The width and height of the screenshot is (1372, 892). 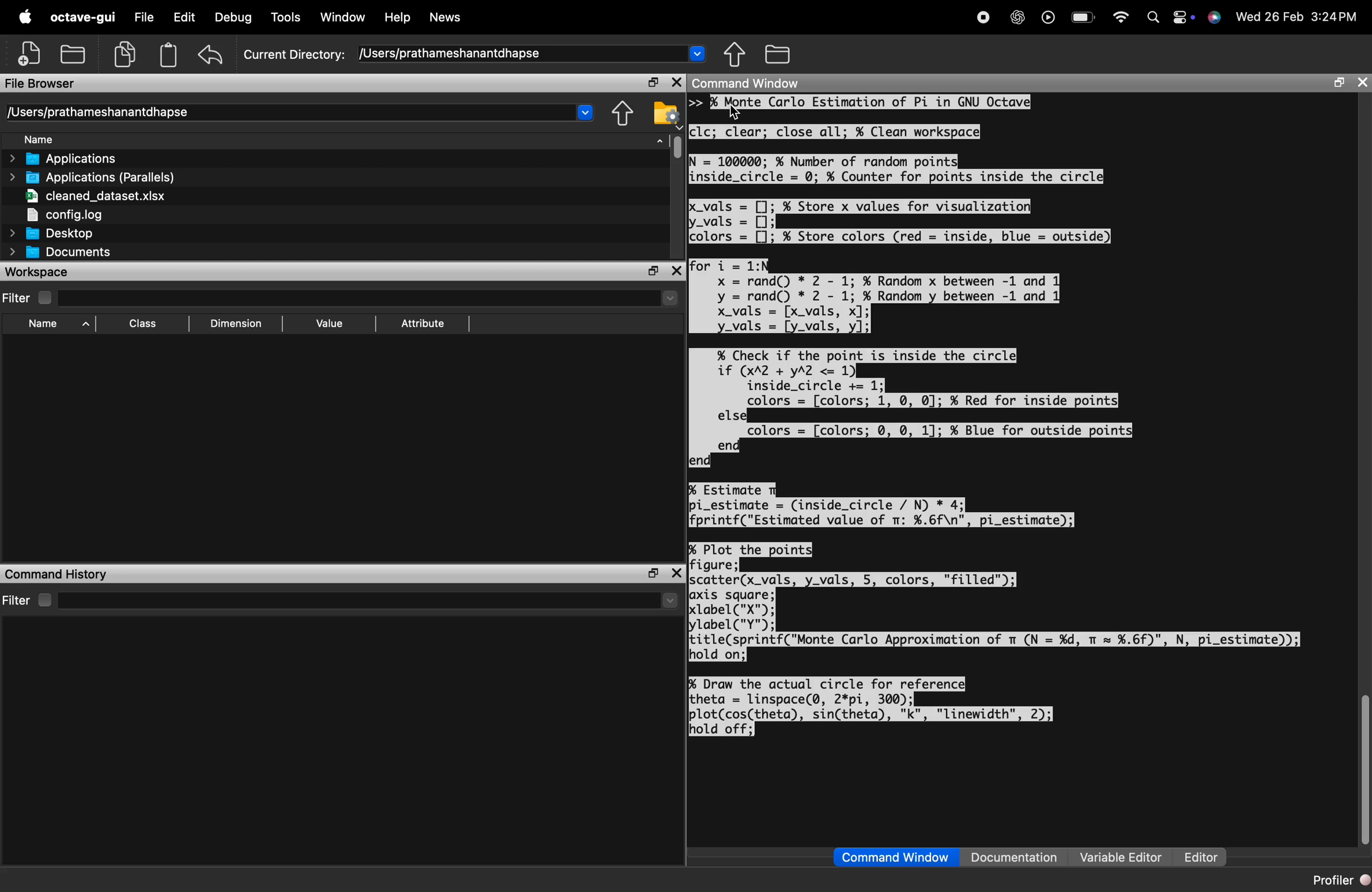 I want to click on Close, so click(x=678, y=572).